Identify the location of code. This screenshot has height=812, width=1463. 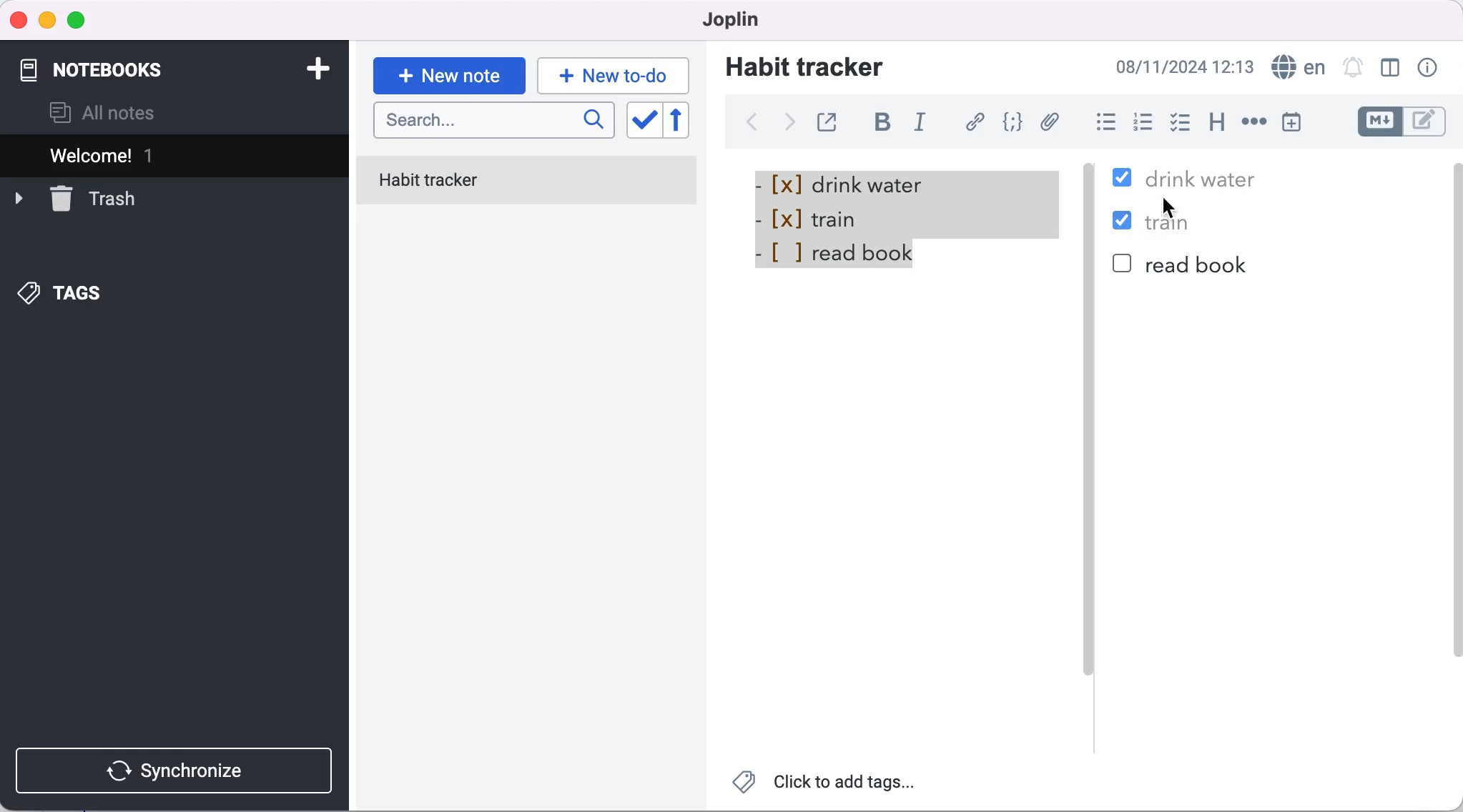
(1015, 122).